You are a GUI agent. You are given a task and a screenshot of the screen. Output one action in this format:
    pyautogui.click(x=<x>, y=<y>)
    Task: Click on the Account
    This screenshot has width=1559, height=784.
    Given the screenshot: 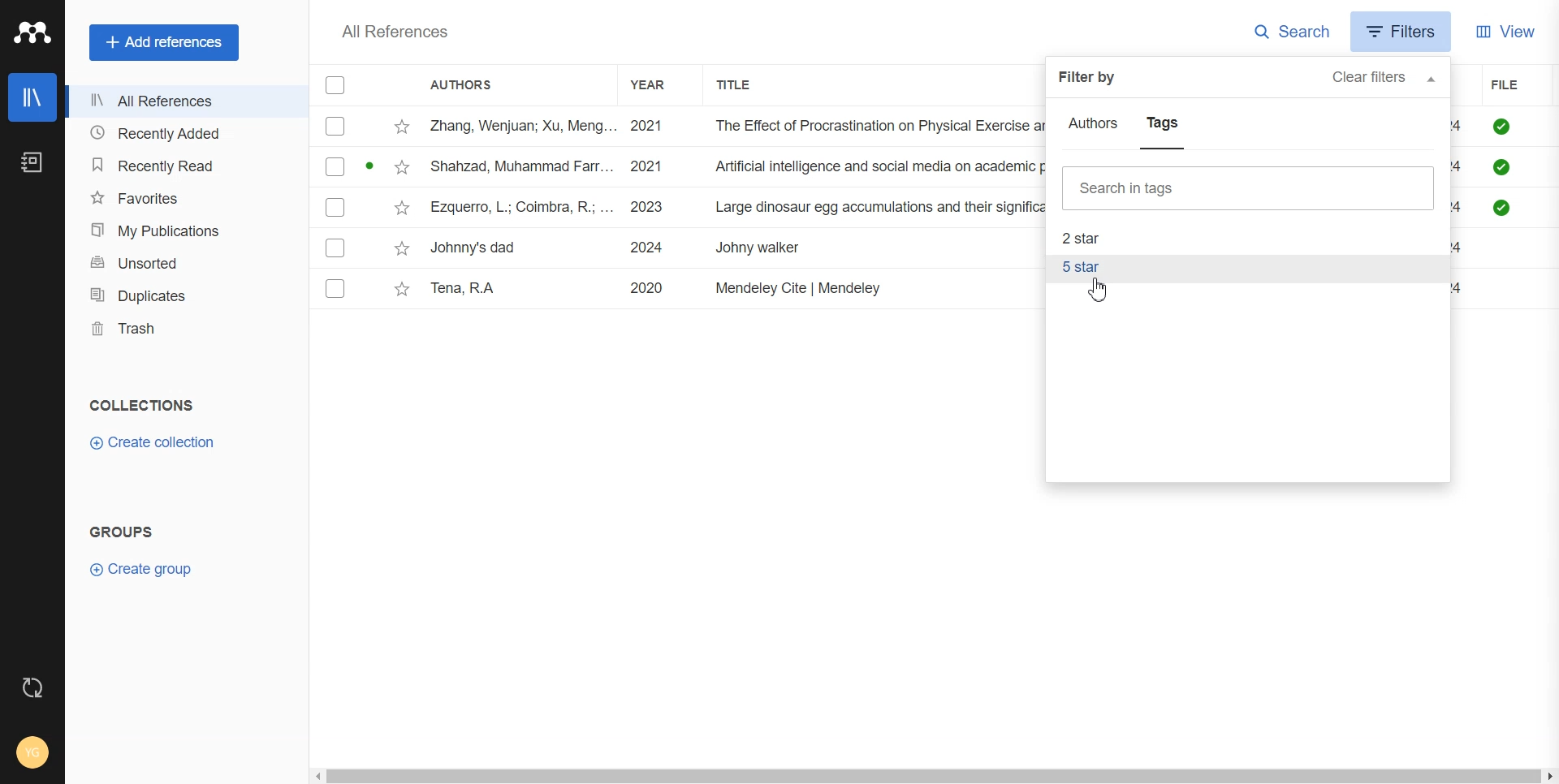 What is the action you would take?
    pyautogui.click(x=32, y=754)
    